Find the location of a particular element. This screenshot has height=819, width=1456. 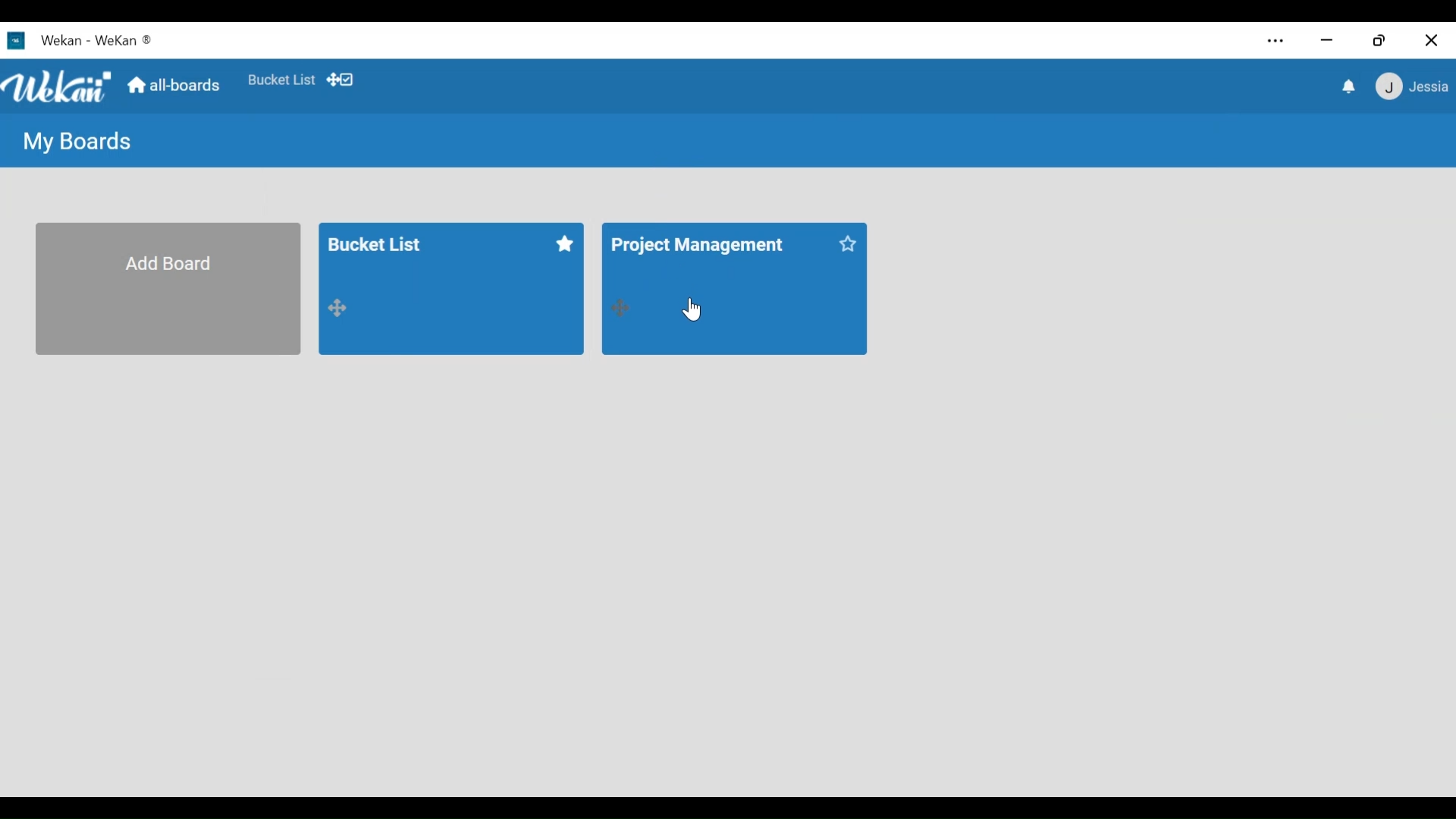

star is located at coordinates (849, 243).